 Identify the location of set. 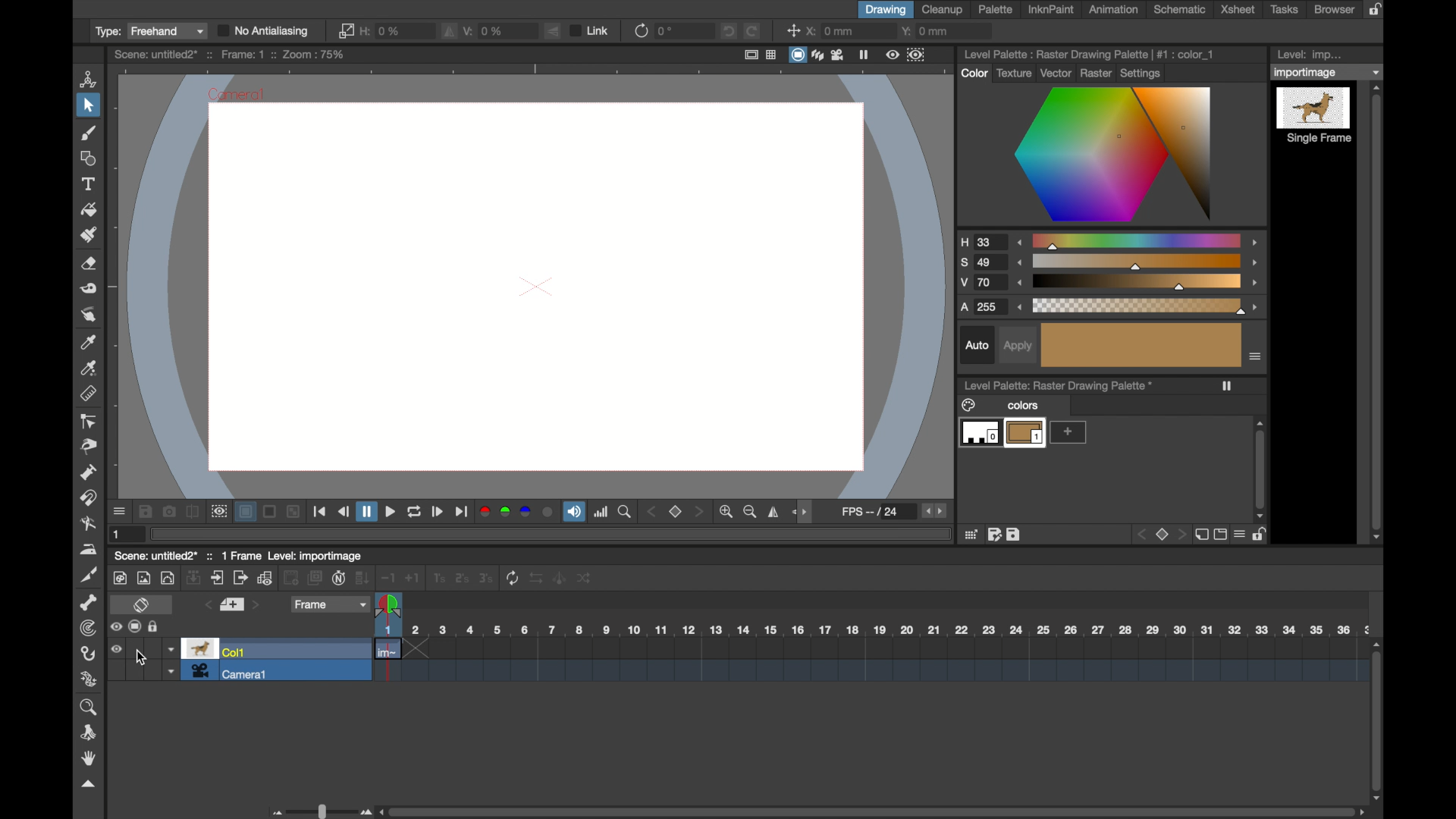
(233, 605).